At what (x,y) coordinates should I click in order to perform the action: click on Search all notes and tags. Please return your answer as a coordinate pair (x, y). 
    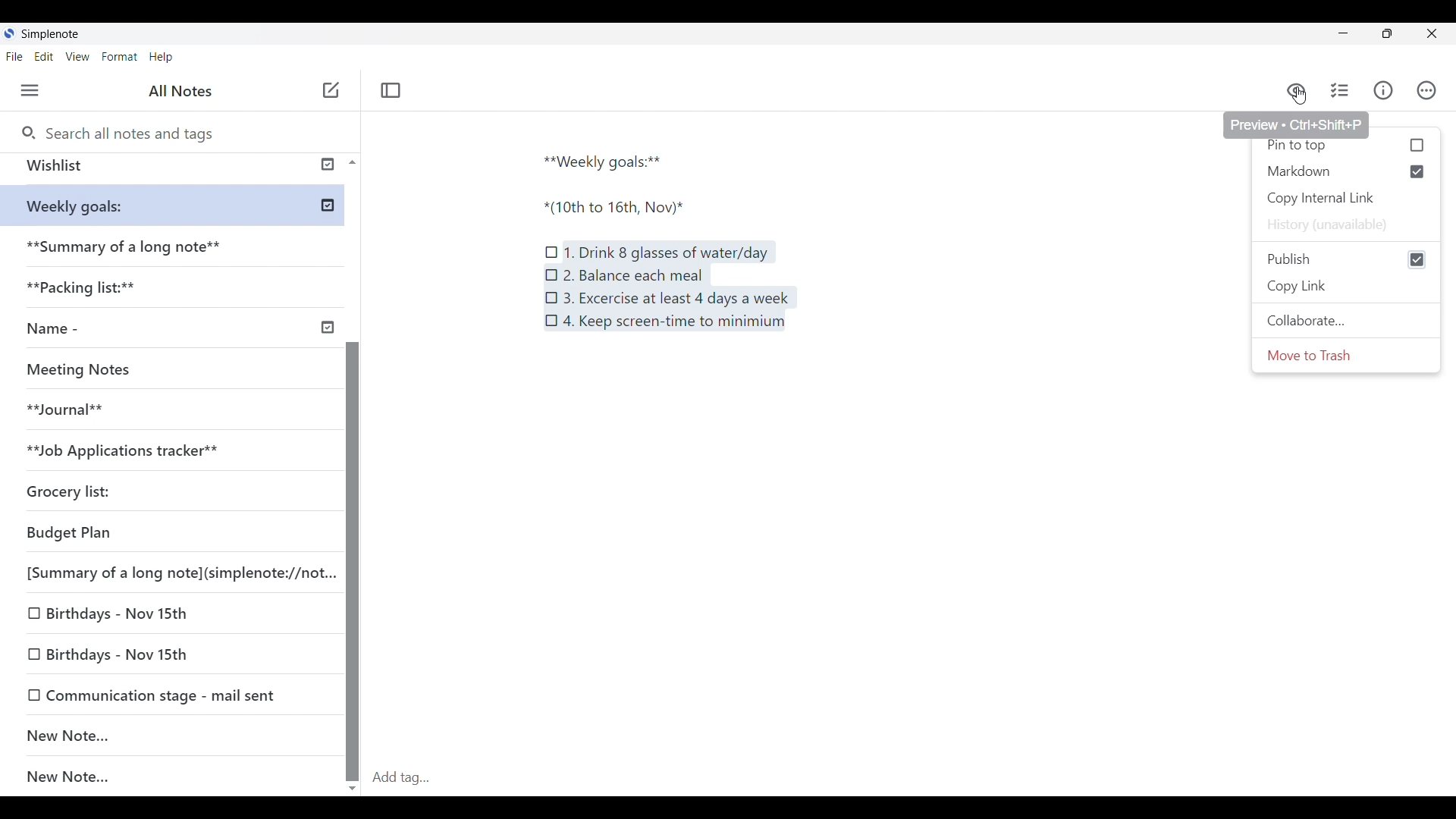
    Looking at the image, I should click on (130, 131).